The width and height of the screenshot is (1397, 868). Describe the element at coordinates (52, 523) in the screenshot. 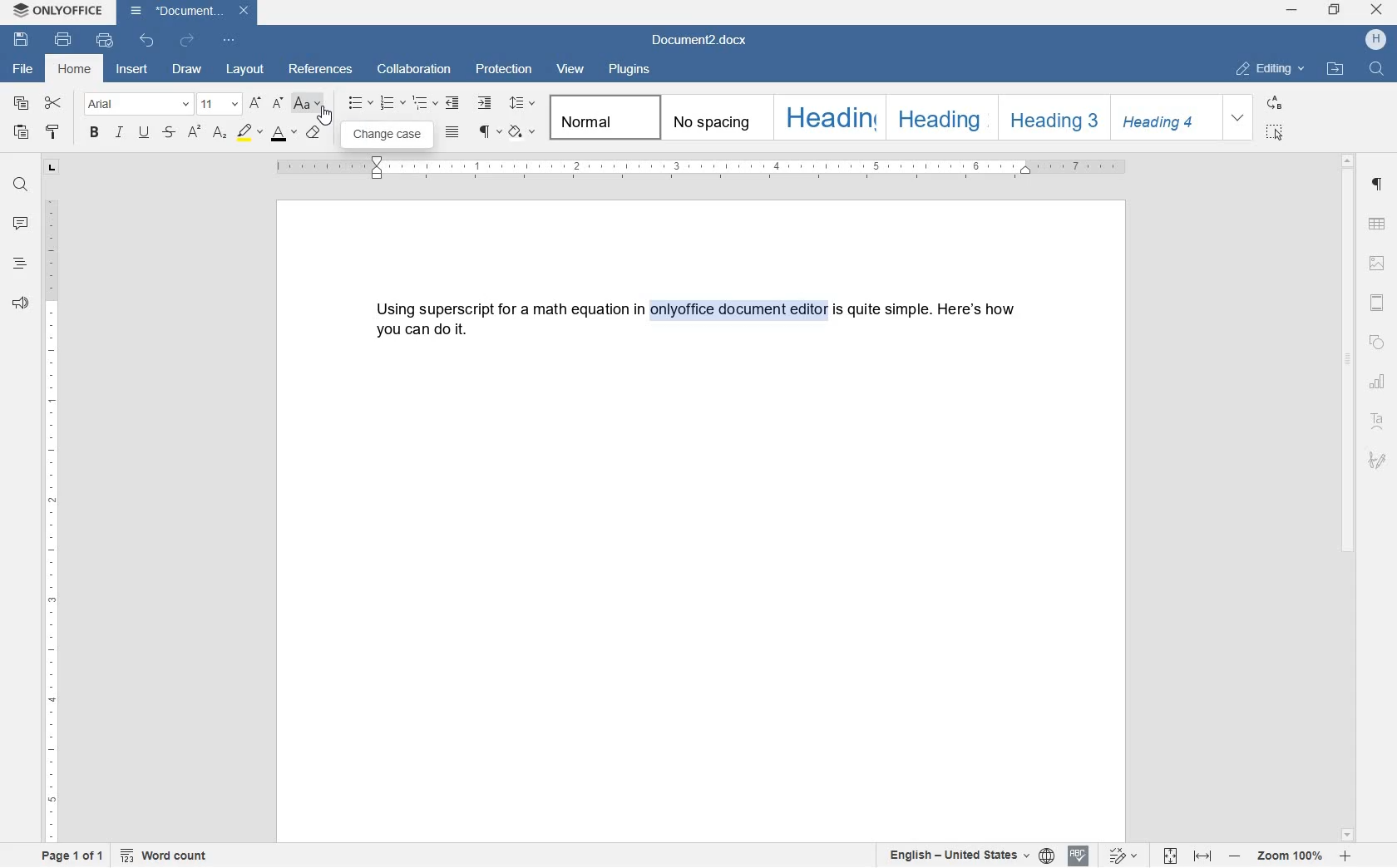

I see `ruler` at that location.